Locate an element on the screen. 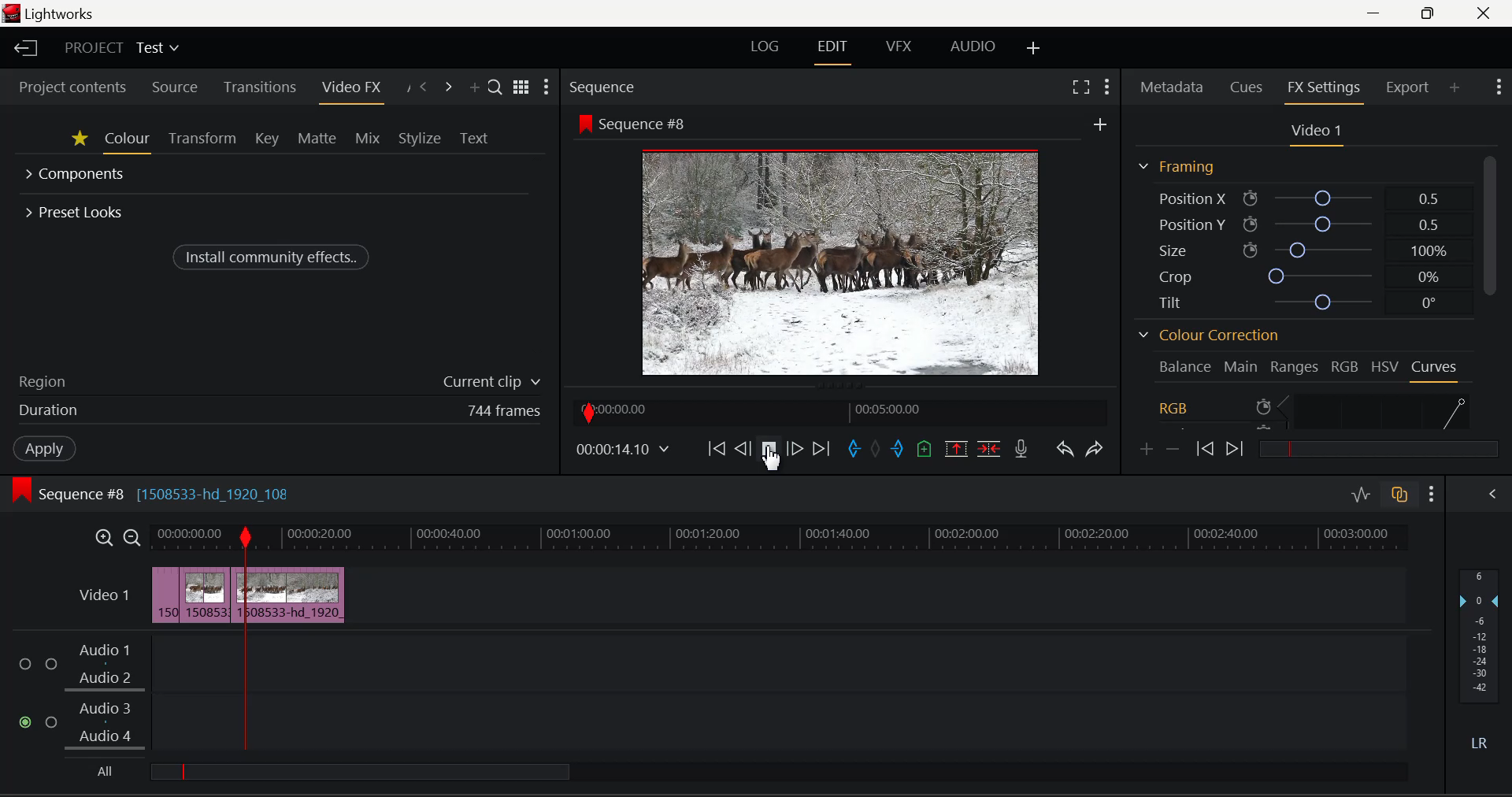  Mark In is located at coordinates (854, 448).